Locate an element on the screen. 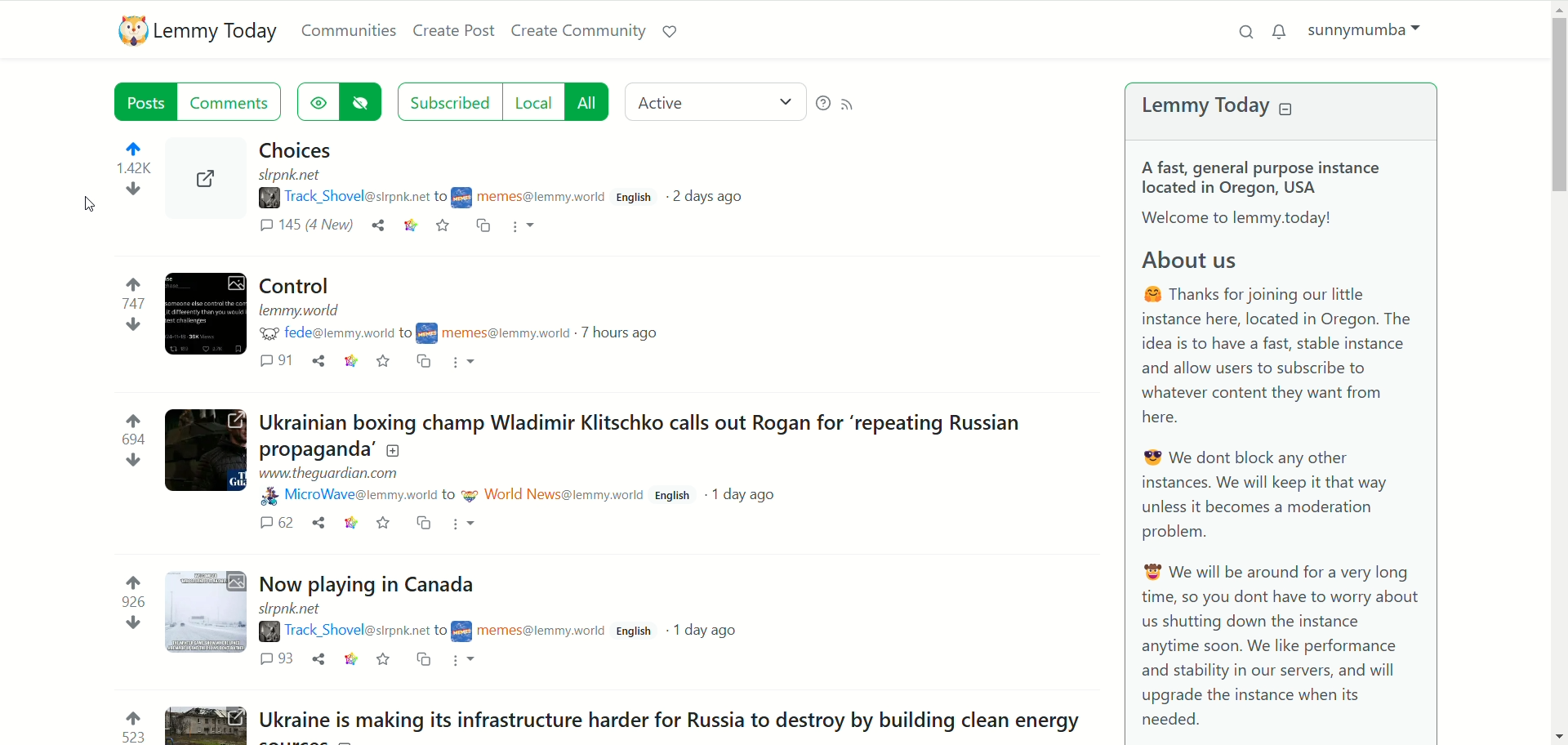 The image size is (1568, 745). 1day ago is located at coordinates (751, 497).